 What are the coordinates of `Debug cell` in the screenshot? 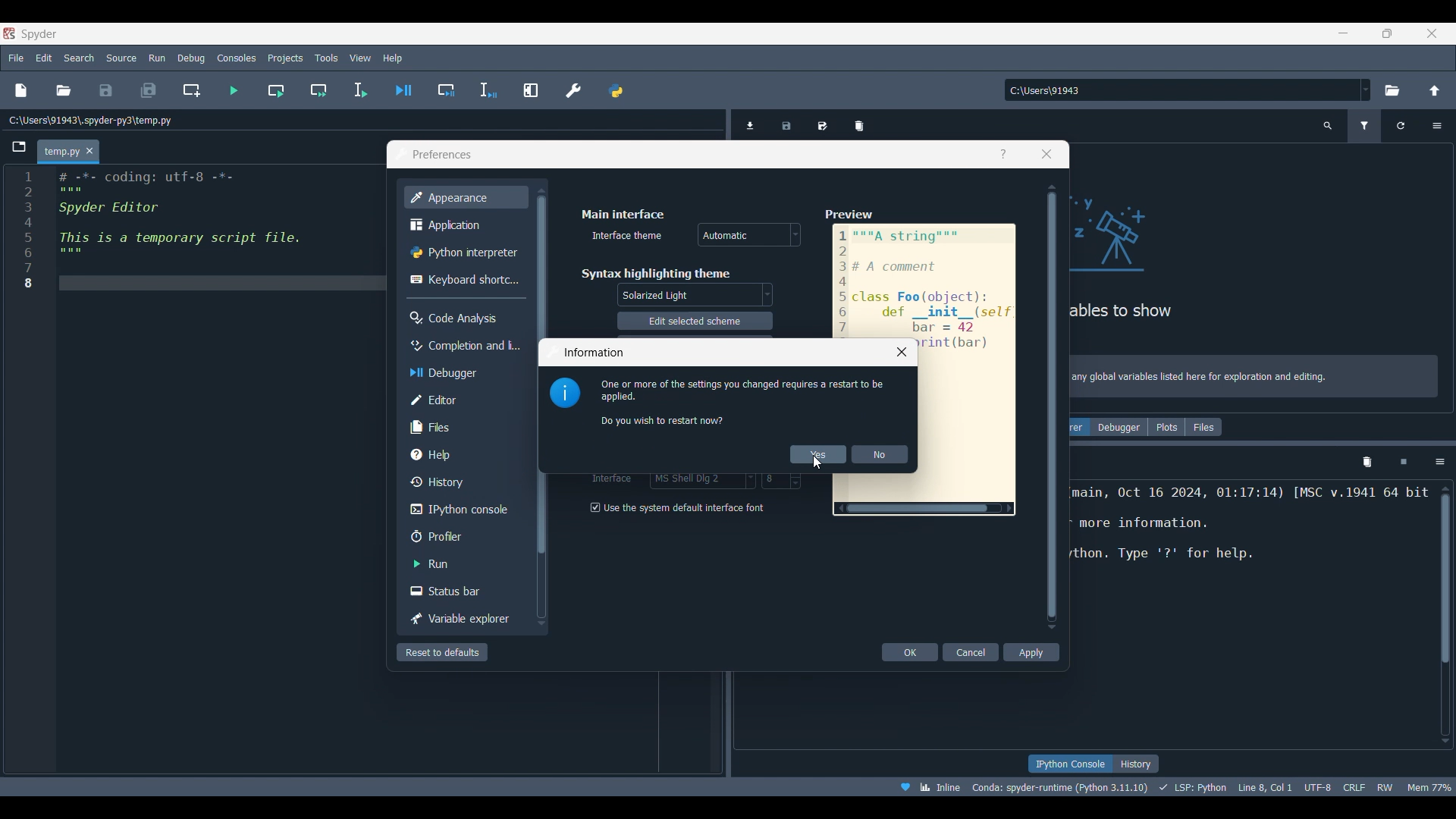 It's located at (446, 90).